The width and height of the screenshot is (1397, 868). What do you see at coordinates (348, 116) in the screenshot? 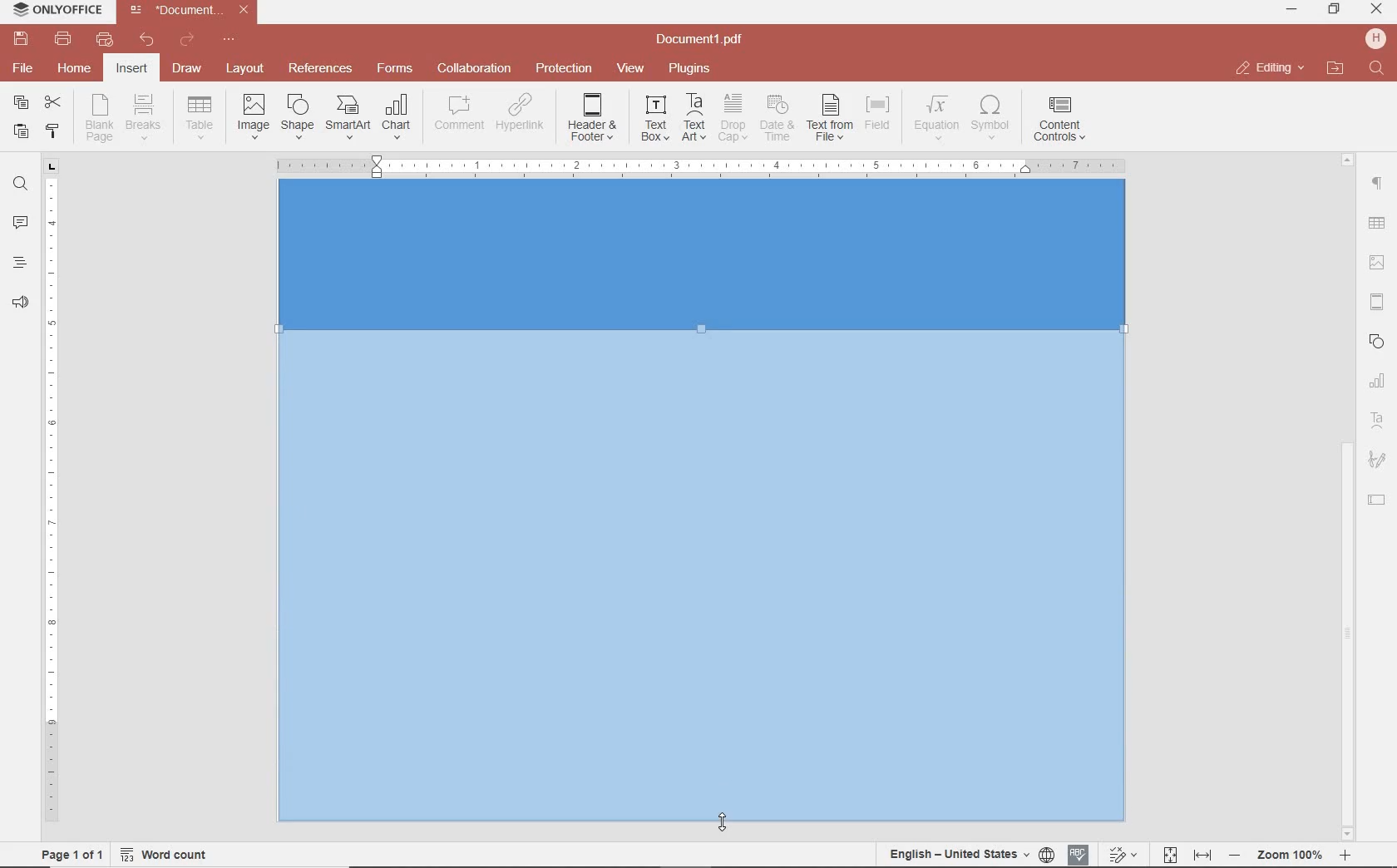
I see `INSERT SMART ART` at bounding box center [348, 116].